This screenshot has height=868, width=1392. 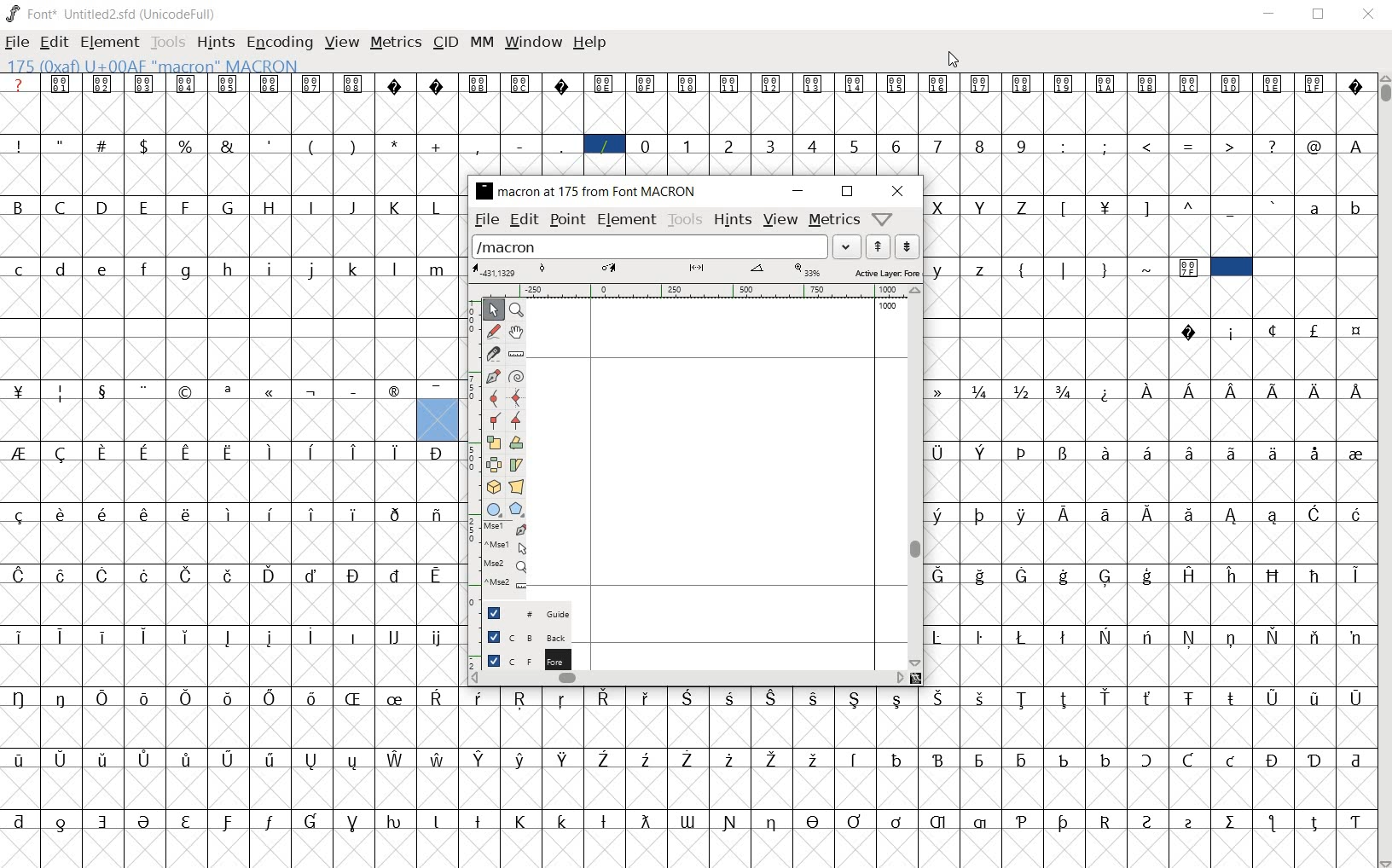 What do you see at coordinates (356, 146) in the screenshot?
I see `)` at bounding box center [356, 146].